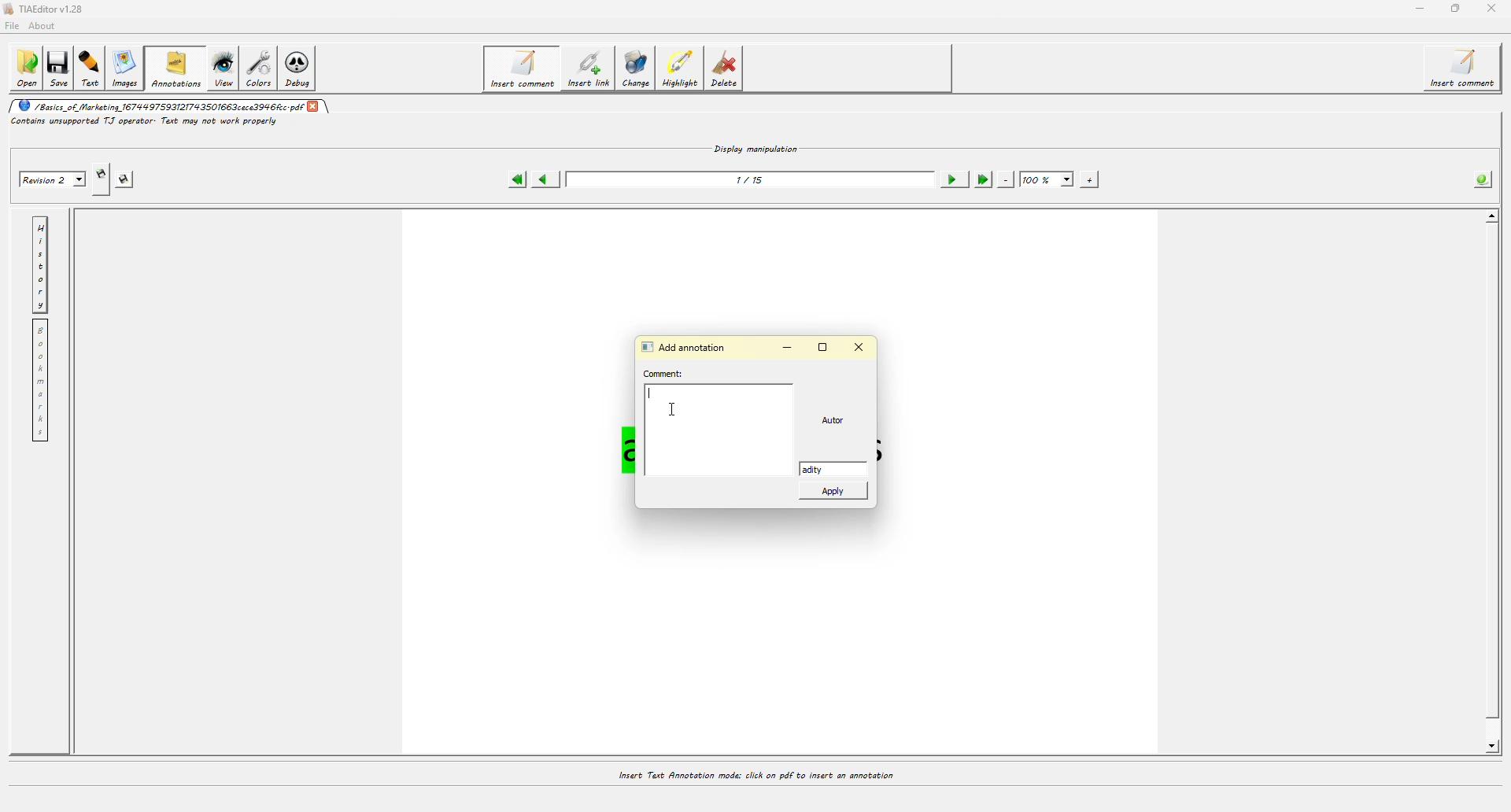  Describe the element at coordinates (129, 179) in the screenshot. I see `saves this revision` at that location.